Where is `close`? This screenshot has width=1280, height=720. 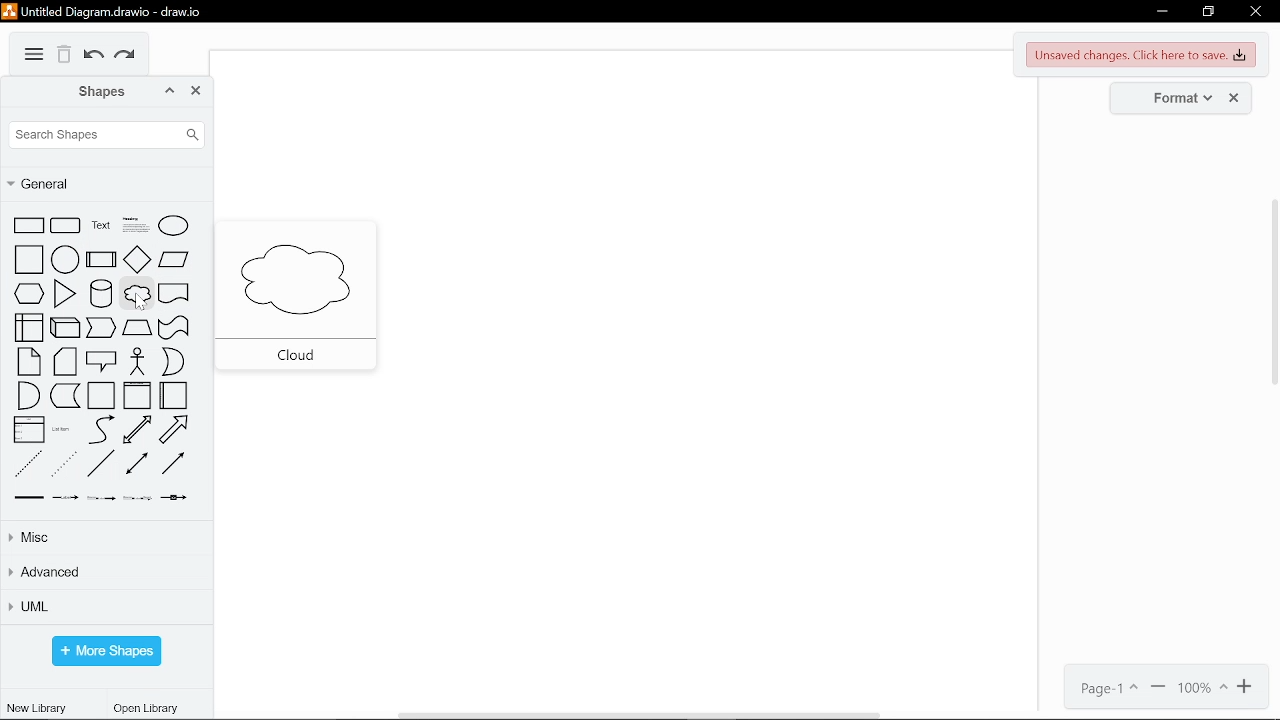
close is located at coordinates (1257, 12).